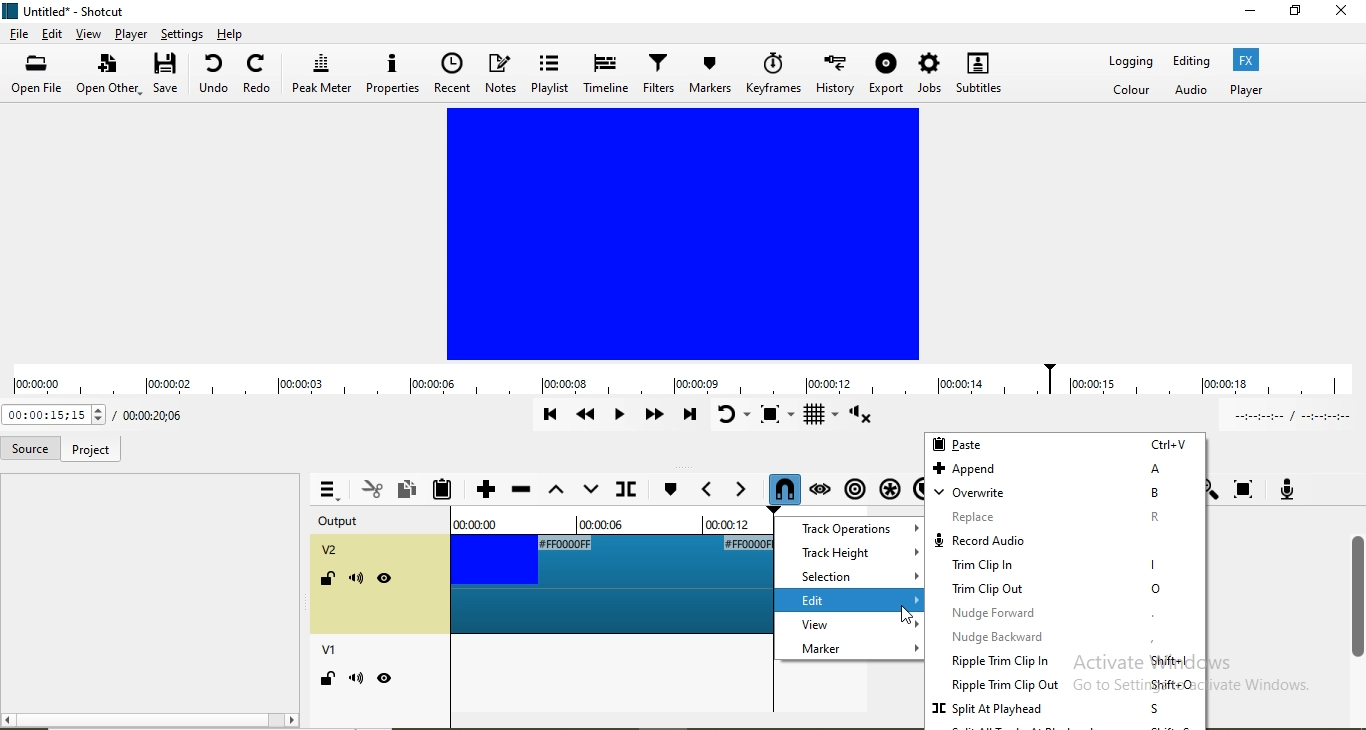  I want to click on trim clip out, so click(1067, 590).